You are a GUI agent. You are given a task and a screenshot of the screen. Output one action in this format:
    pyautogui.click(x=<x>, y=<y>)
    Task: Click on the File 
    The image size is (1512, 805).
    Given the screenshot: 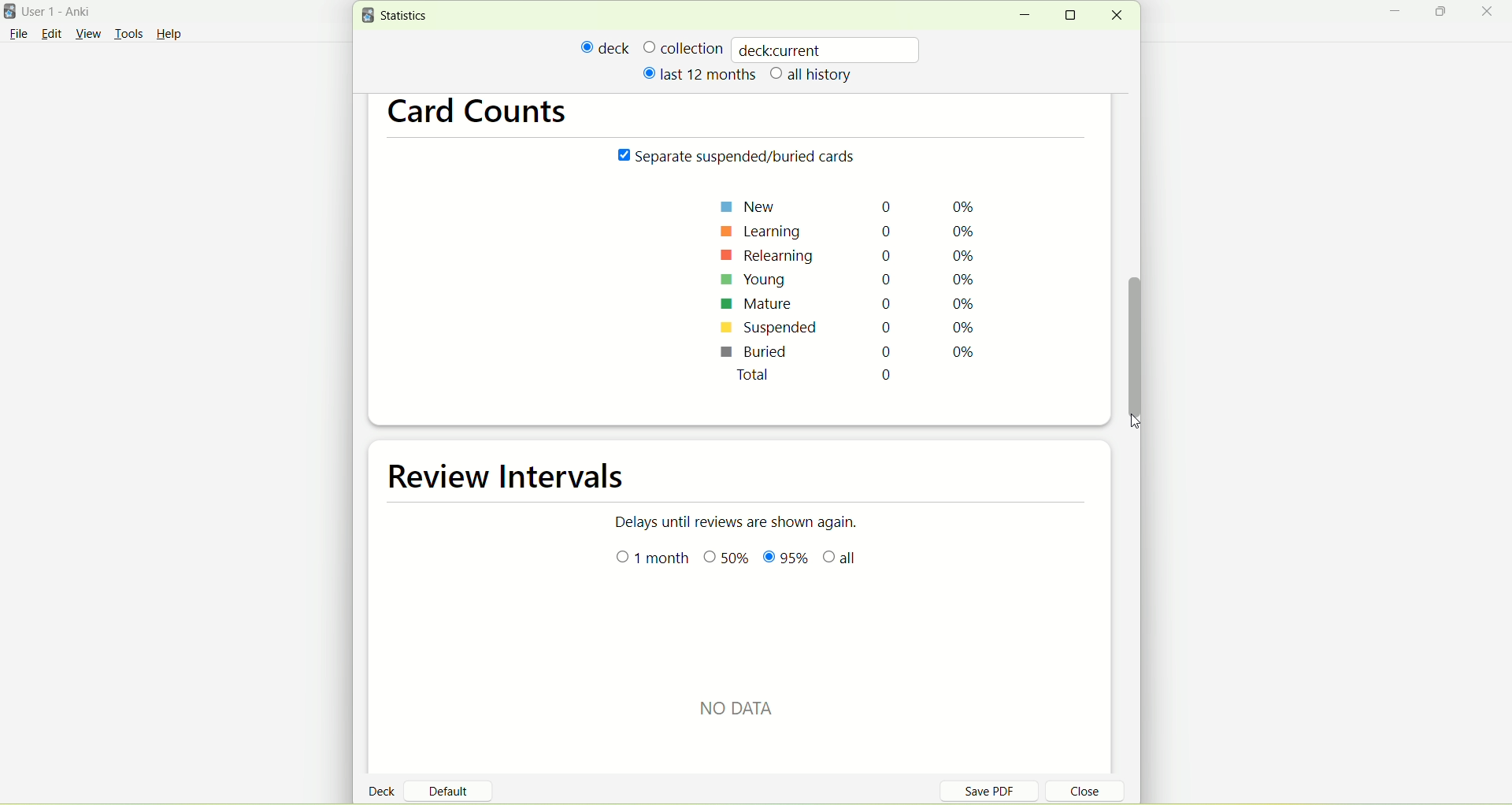 What is the action you would take?
    pyautogui.click(x=18, y=34)
    